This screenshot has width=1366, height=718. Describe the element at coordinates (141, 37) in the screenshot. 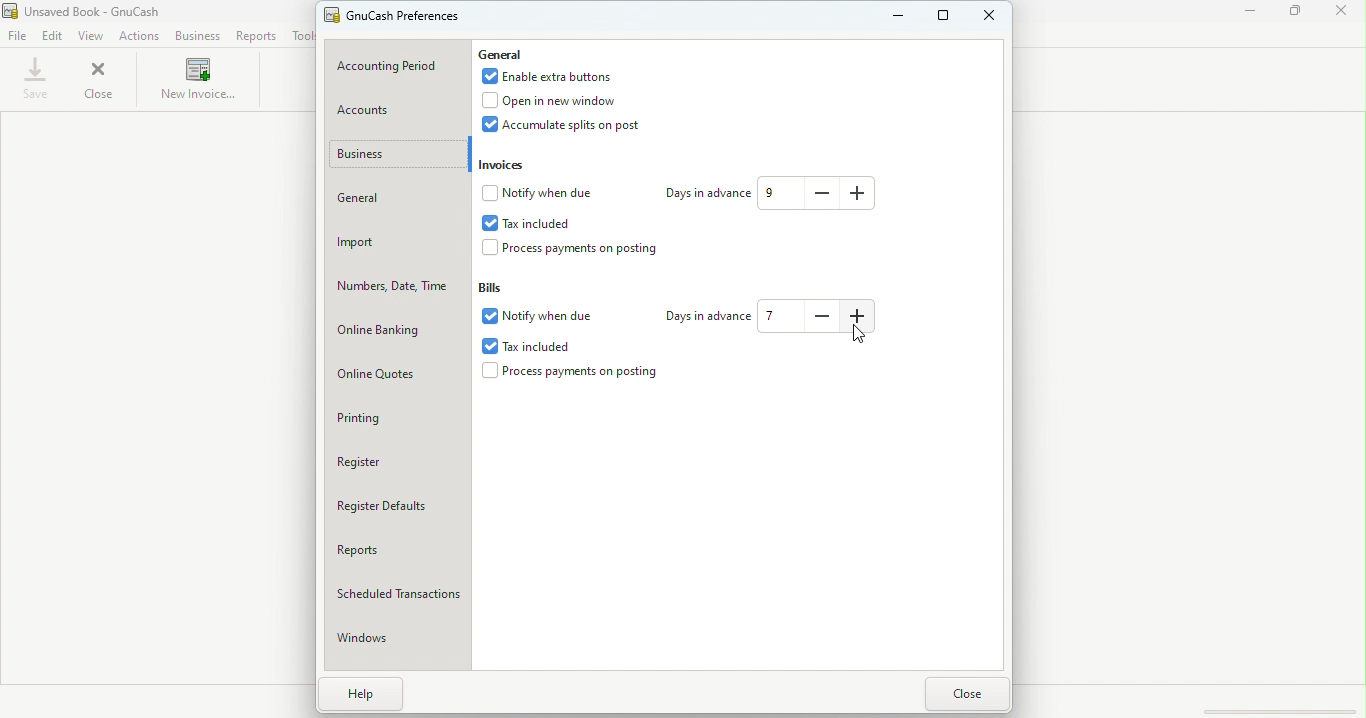

I see `Actions` at that location.